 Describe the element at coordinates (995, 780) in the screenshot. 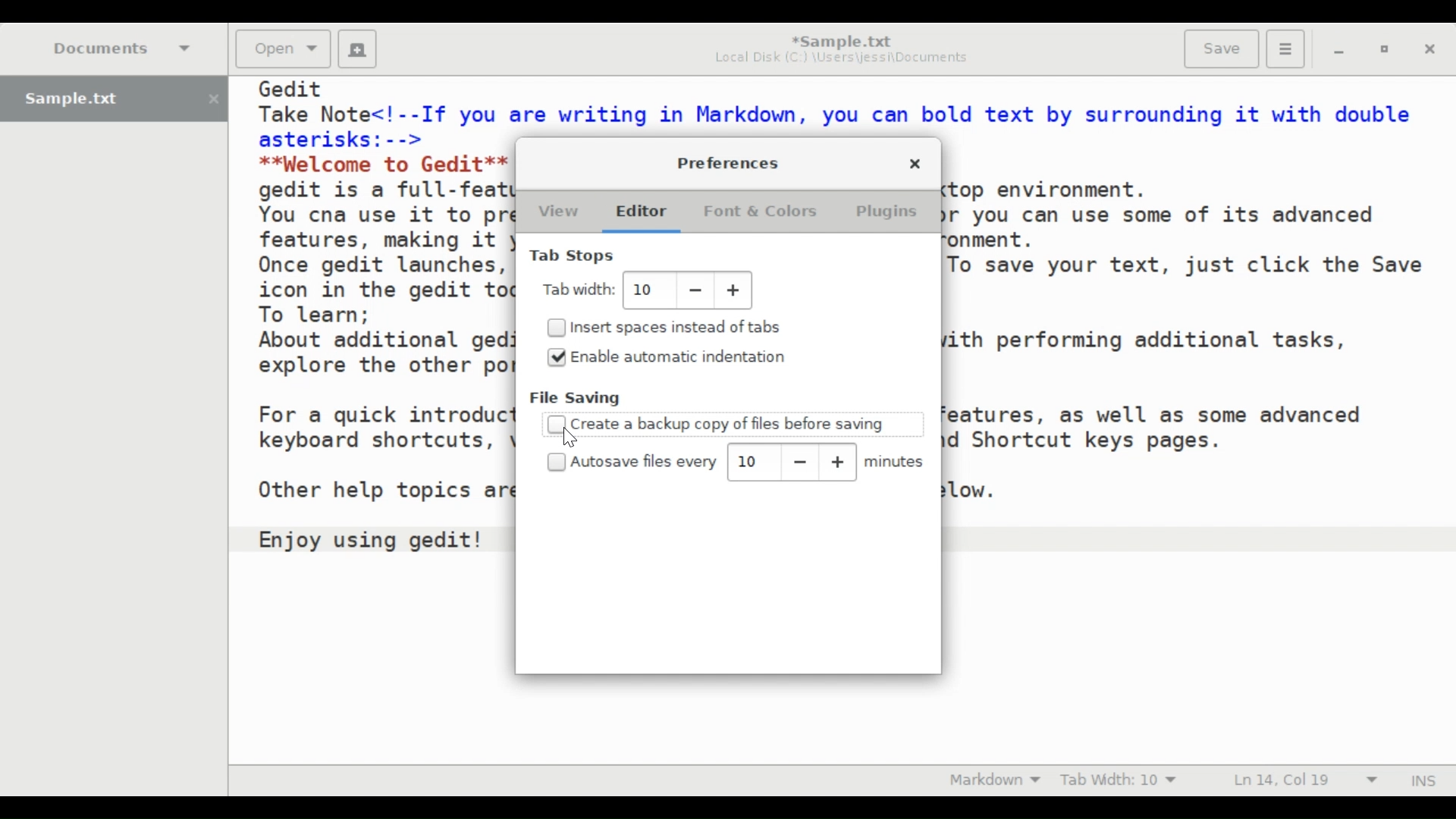

I see `Highlight Mode: Markdown` at that location.